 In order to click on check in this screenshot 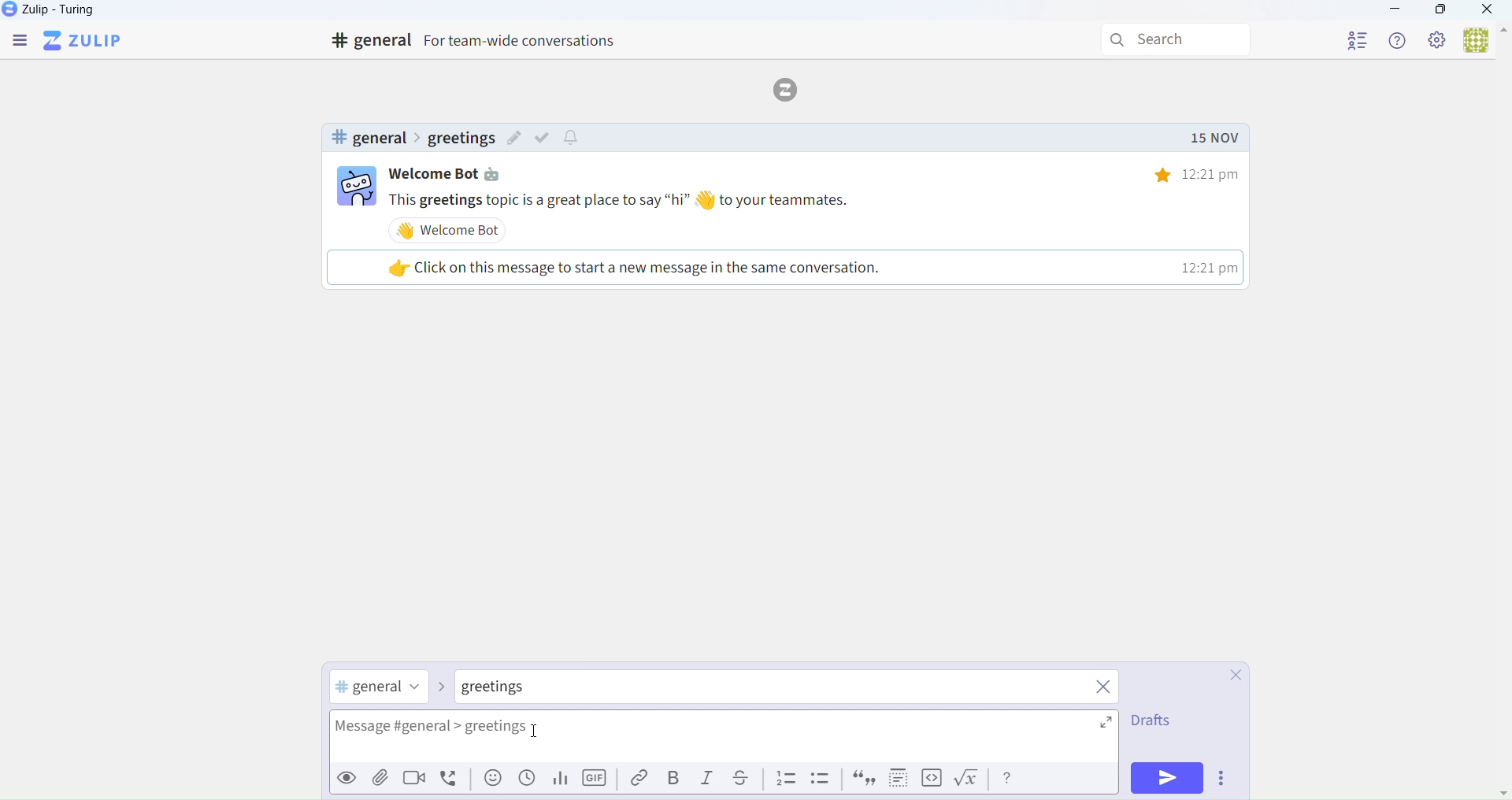, I will do `click(546, 137)`.